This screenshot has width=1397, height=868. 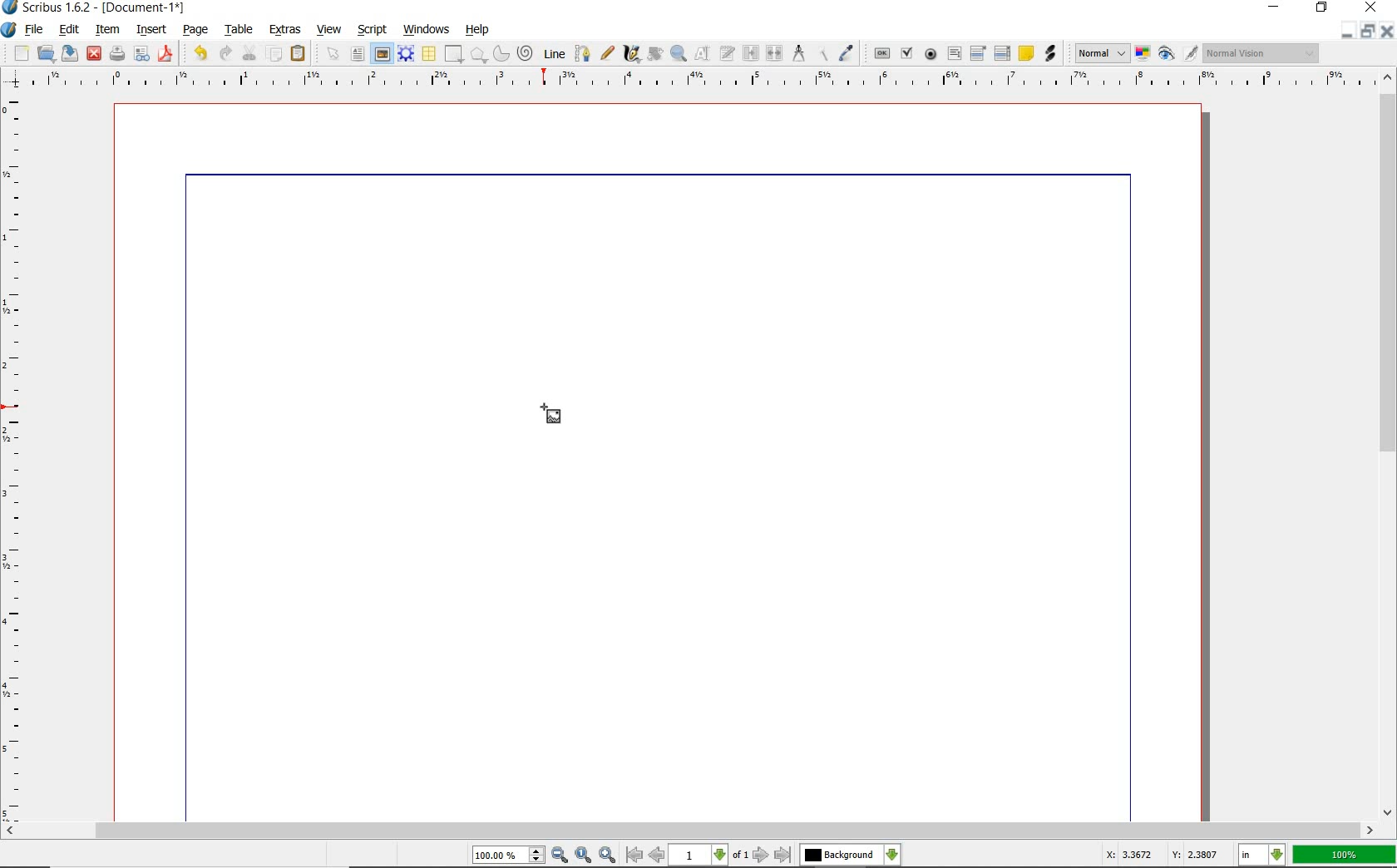 I want to click on unlink text frames, so click(x=775, y=54).